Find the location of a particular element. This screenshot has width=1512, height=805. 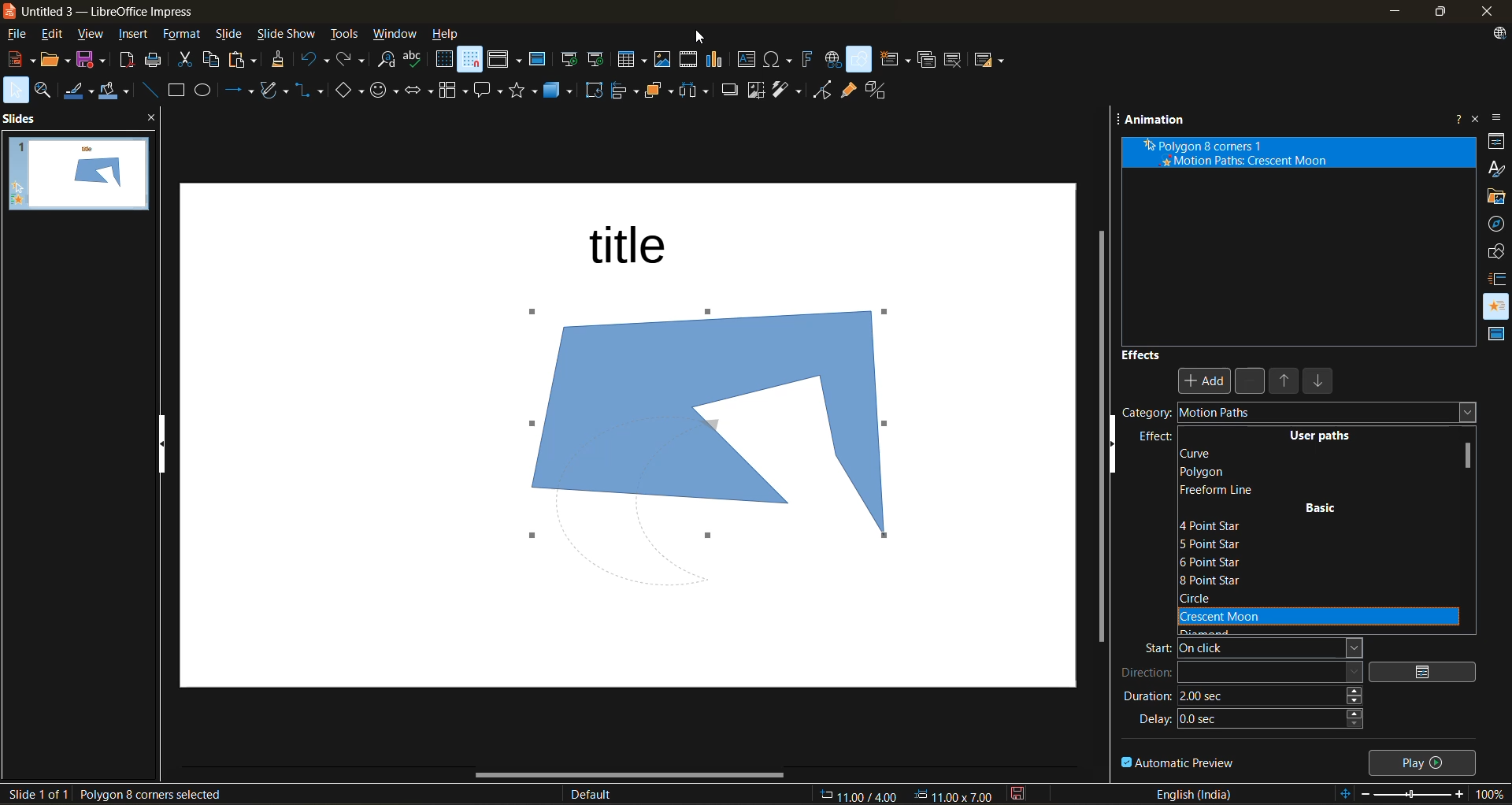

delete slide is located at coordinates (954, 63).